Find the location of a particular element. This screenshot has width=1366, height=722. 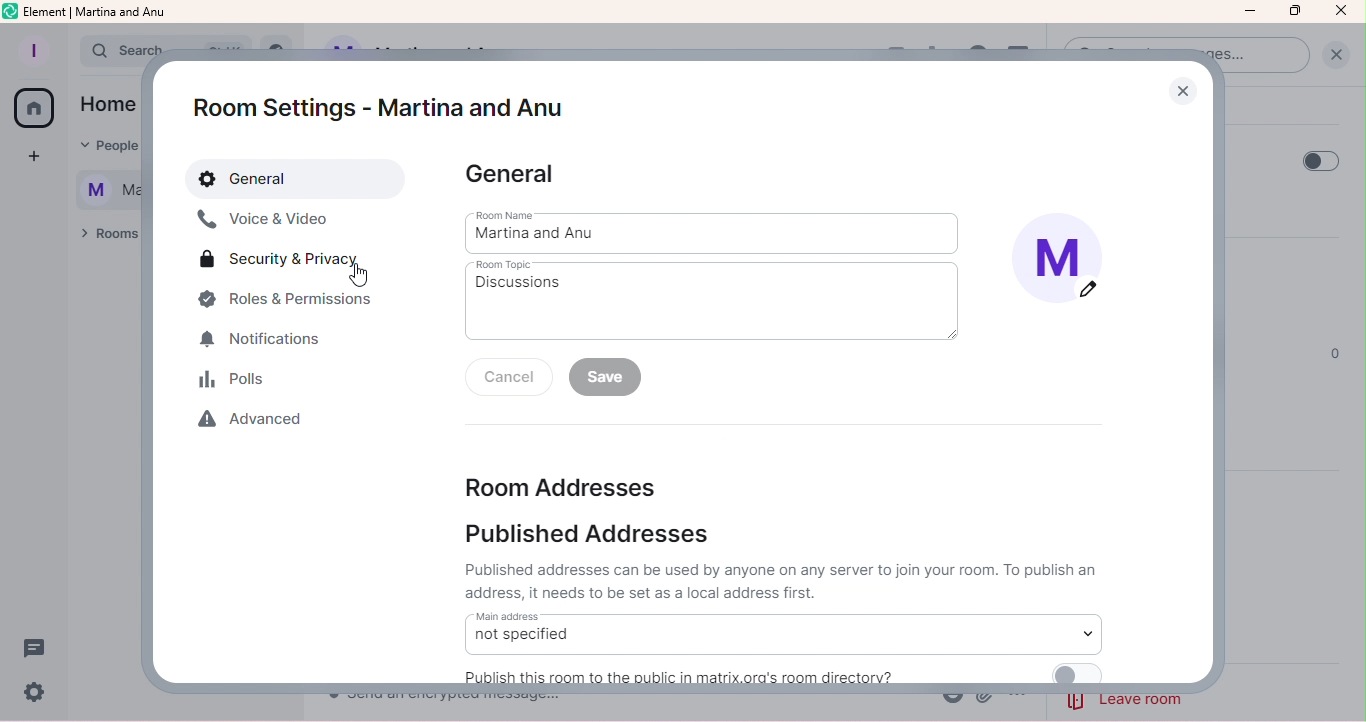

Cancel is located at coordinates (498, 378).